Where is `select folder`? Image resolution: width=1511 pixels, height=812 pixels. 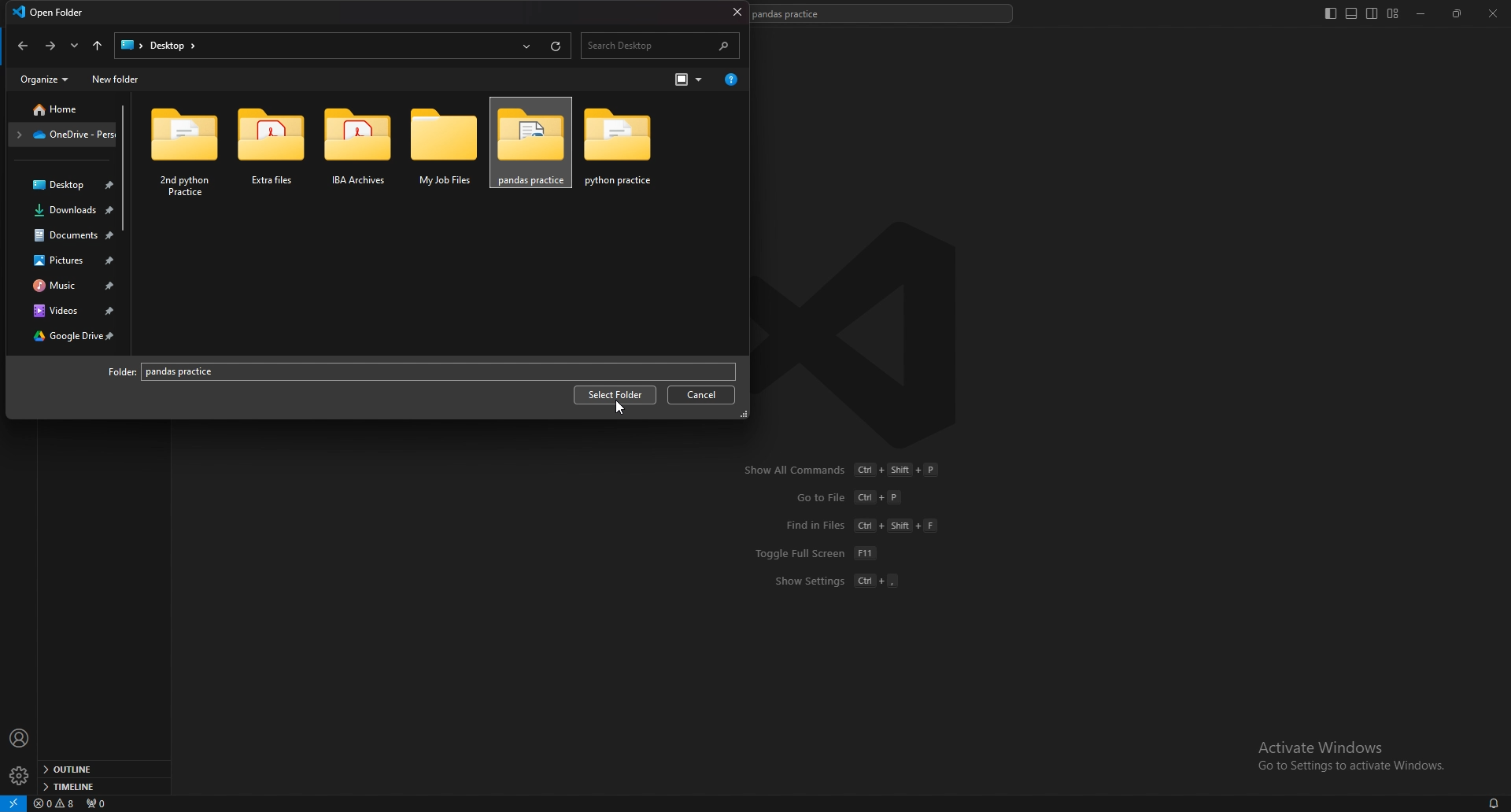
select folder is located at coordinates (615, 396).